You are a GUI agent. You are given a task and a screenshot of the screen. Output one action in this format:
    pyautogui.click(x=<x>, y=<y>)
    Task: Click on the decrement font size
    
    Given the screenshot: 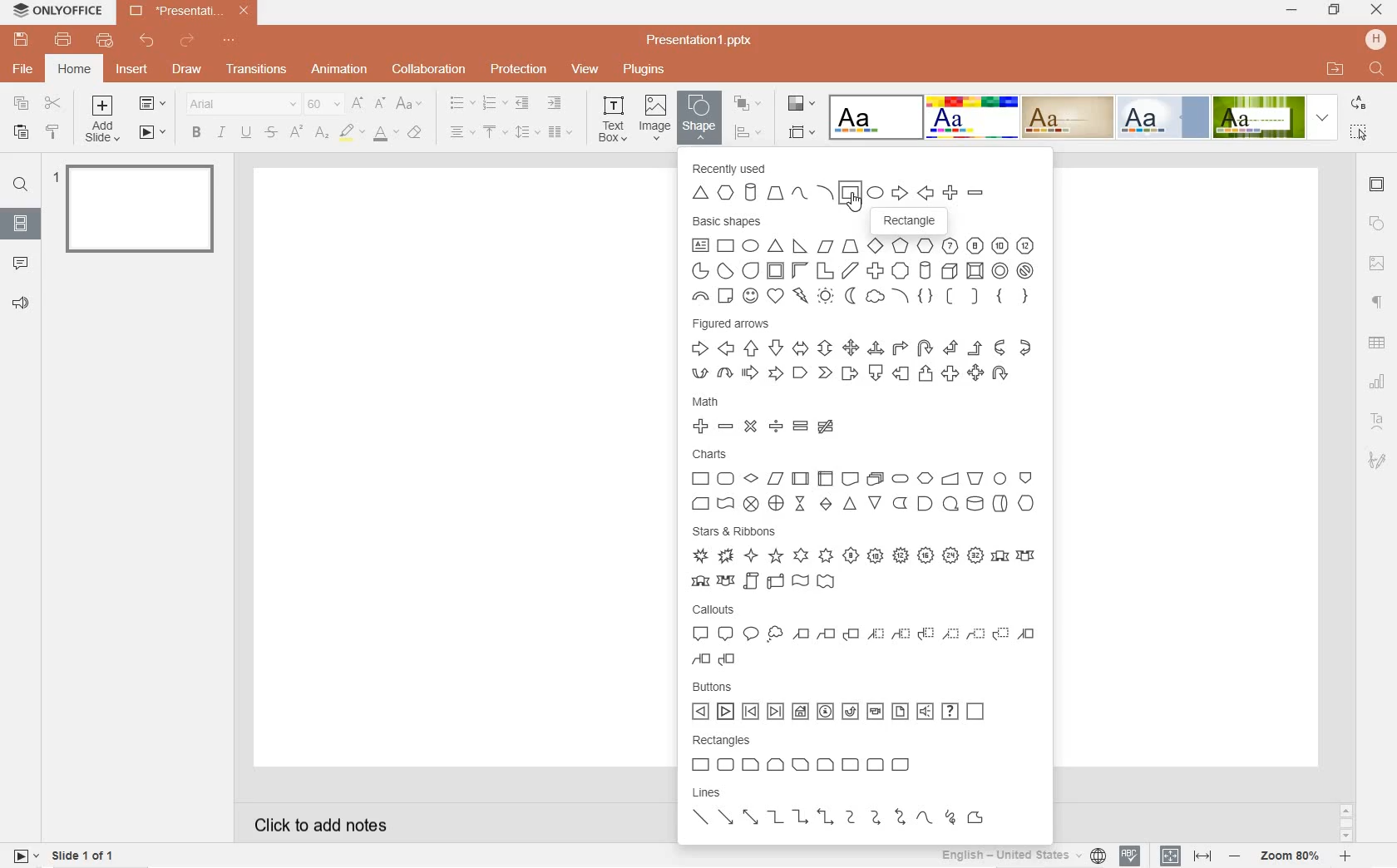 What is the action you would take?
    pyautogui.click(x=381, y=102)
    